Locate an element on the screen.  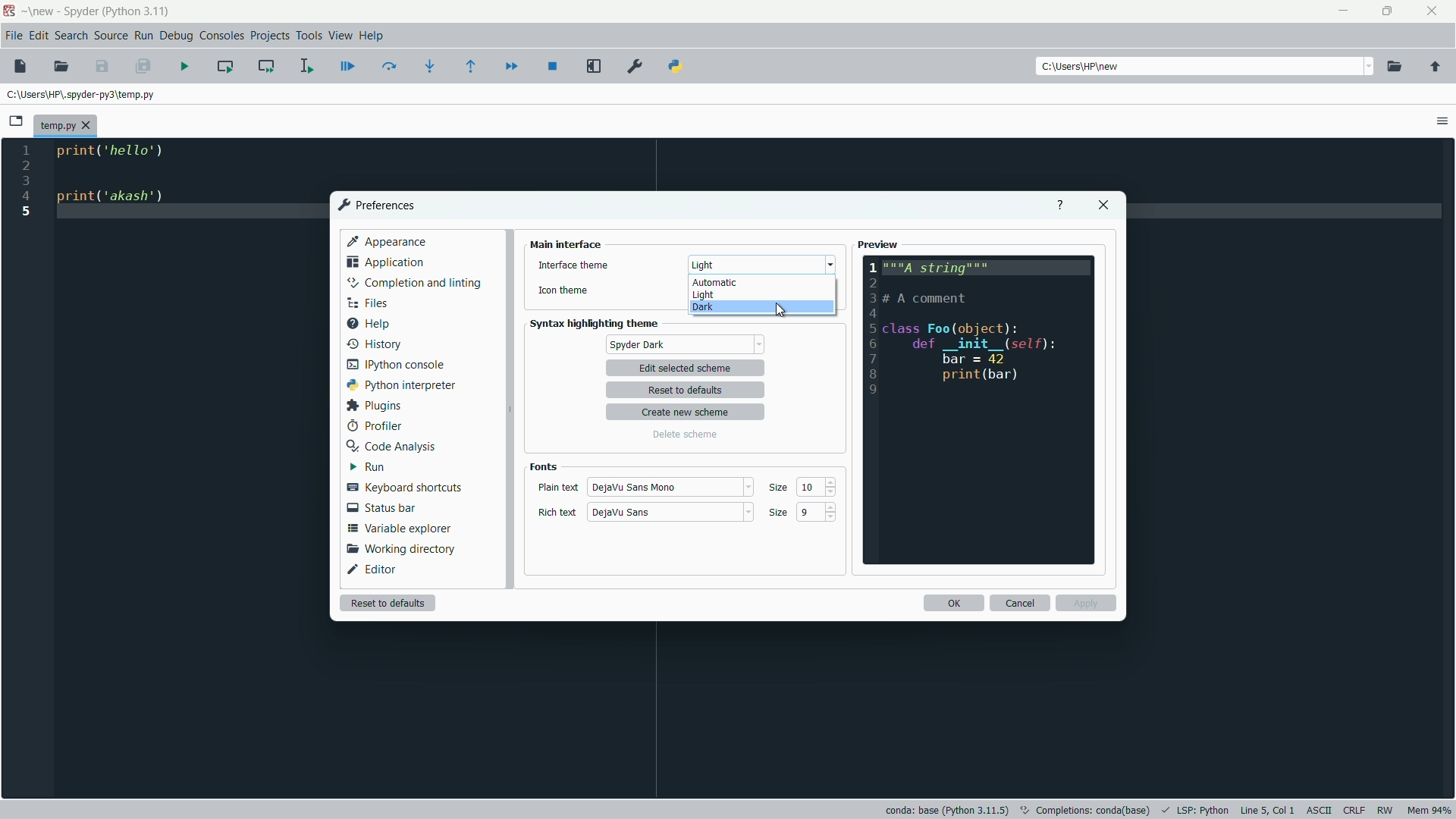
open file is located at coordinates (61, 67).